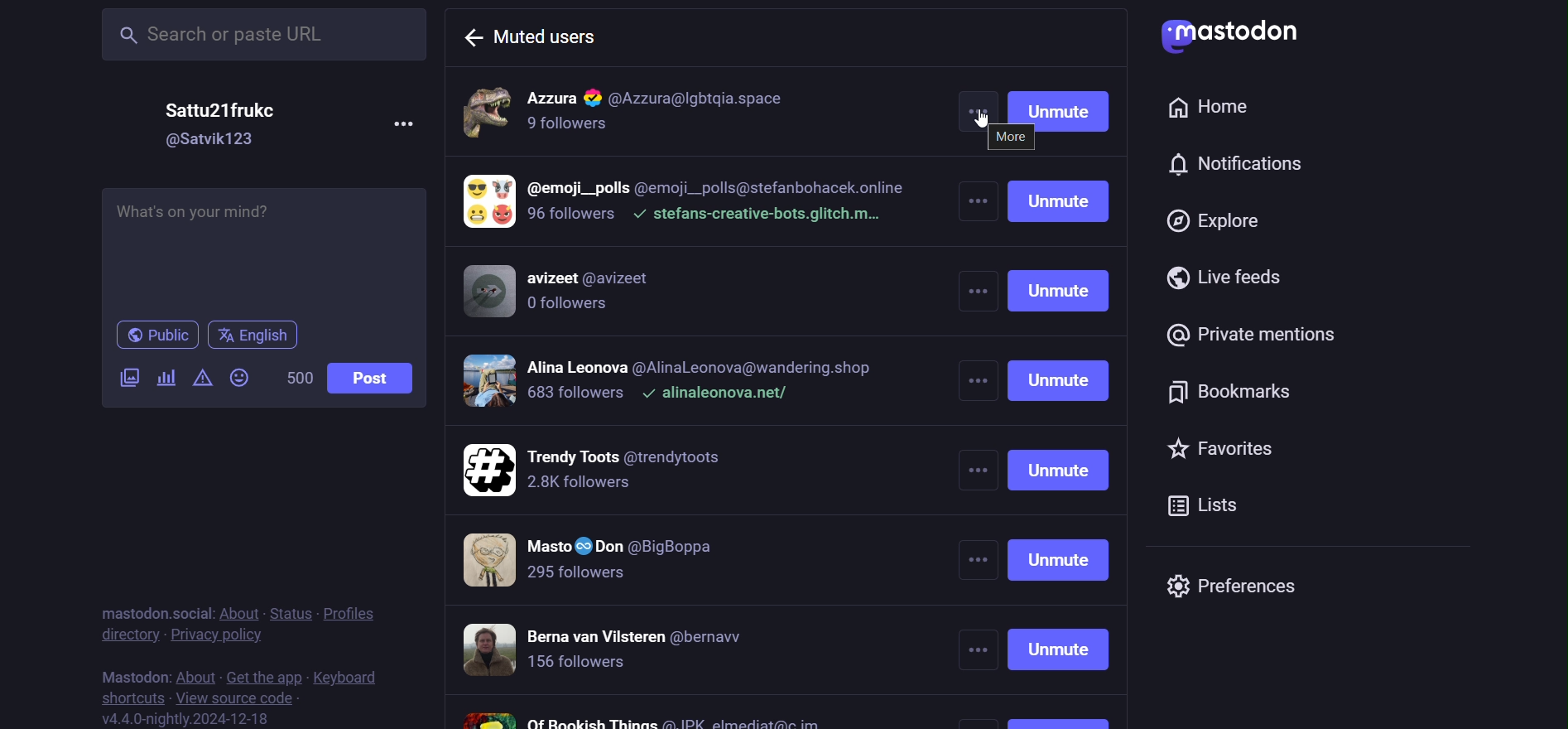  I want to click on directory, so click(123, 635).